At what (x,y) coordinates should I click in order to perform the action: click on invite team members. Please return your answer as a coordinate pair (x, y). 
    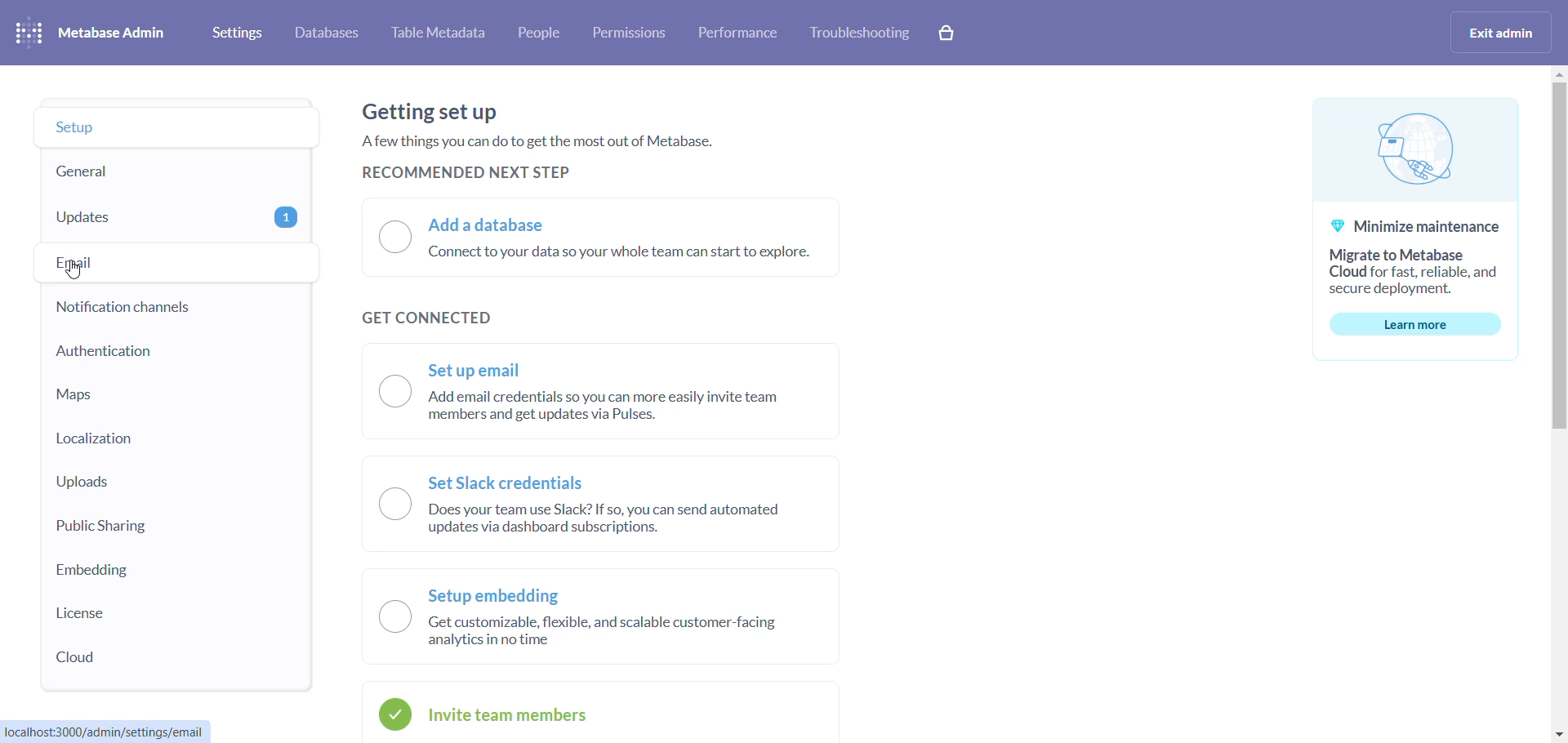
    Looking at the image, I should click on (504, 718).